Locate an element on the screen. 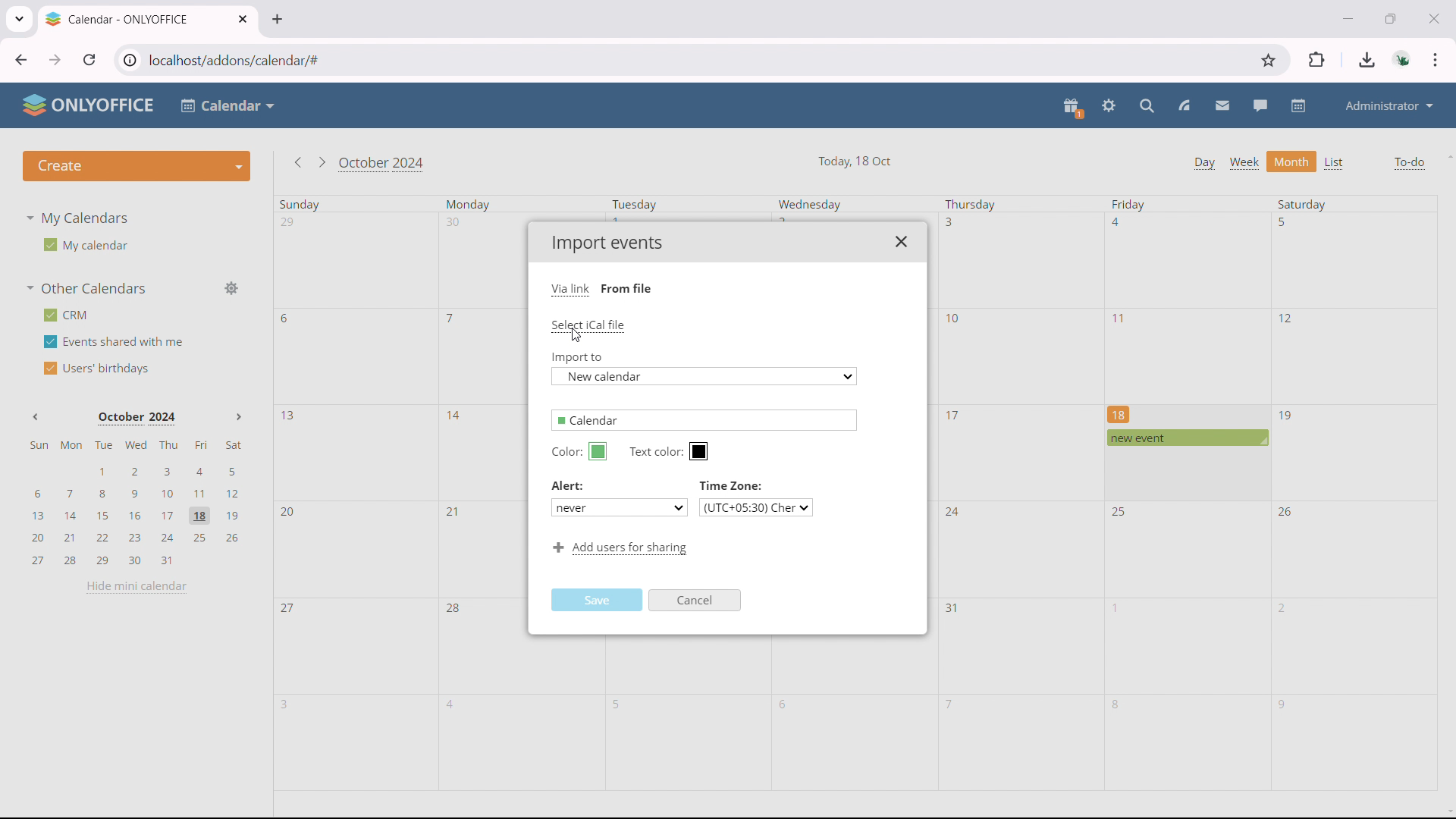 The image size is (1456, 819). customize & control is located at coordinates (1436, 60).